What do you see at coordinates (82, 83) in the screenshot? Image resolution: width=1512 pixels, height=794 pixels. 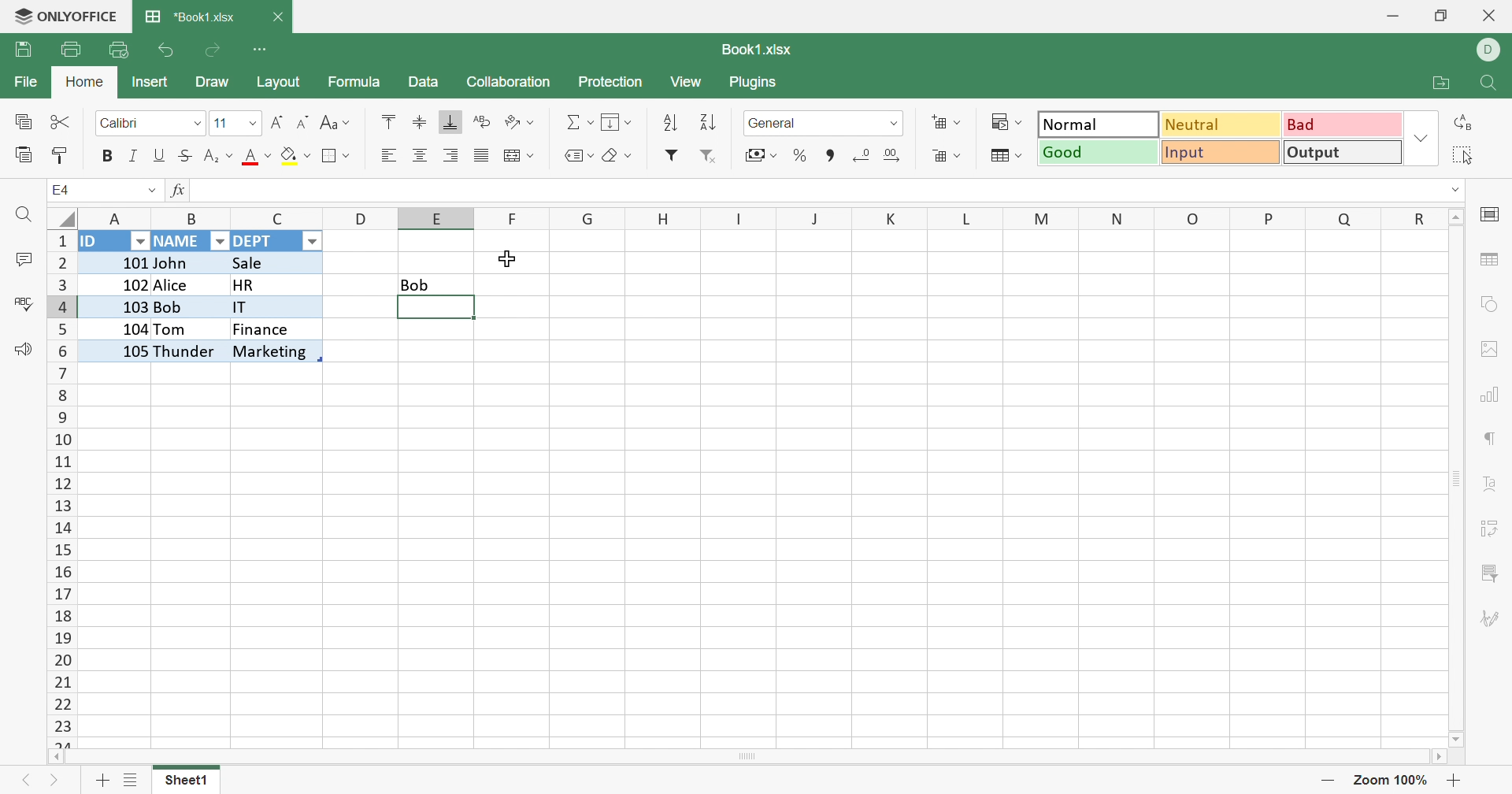 I see `Home` at bounding box center [82, 83].